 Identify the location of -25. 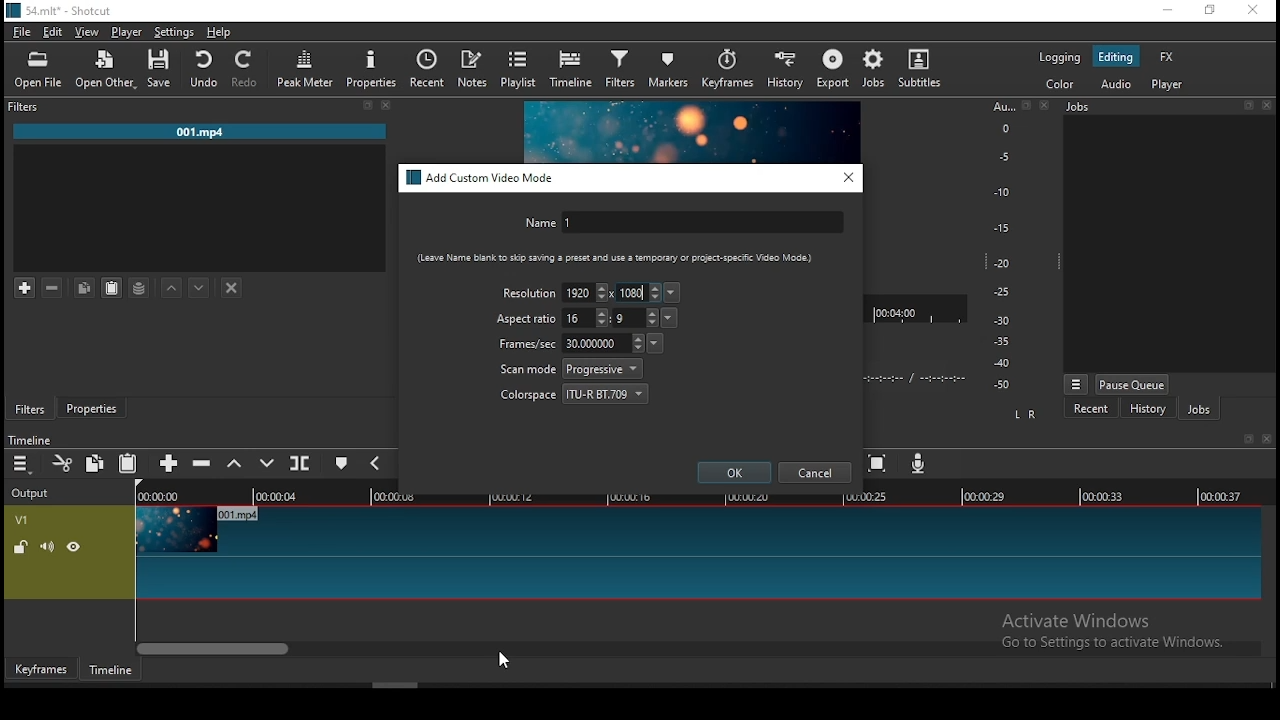
(1002, 293).